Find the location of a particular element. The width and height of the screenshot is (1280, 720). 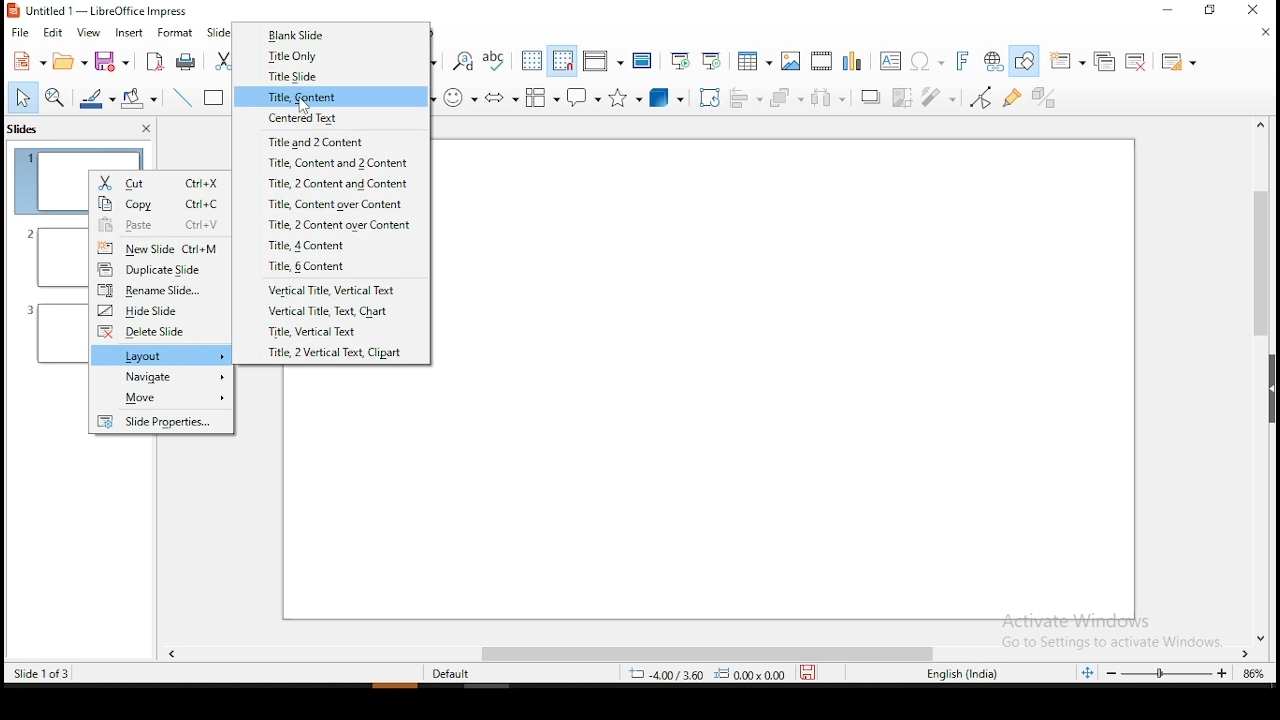

 is located at coordinates (501, 99).